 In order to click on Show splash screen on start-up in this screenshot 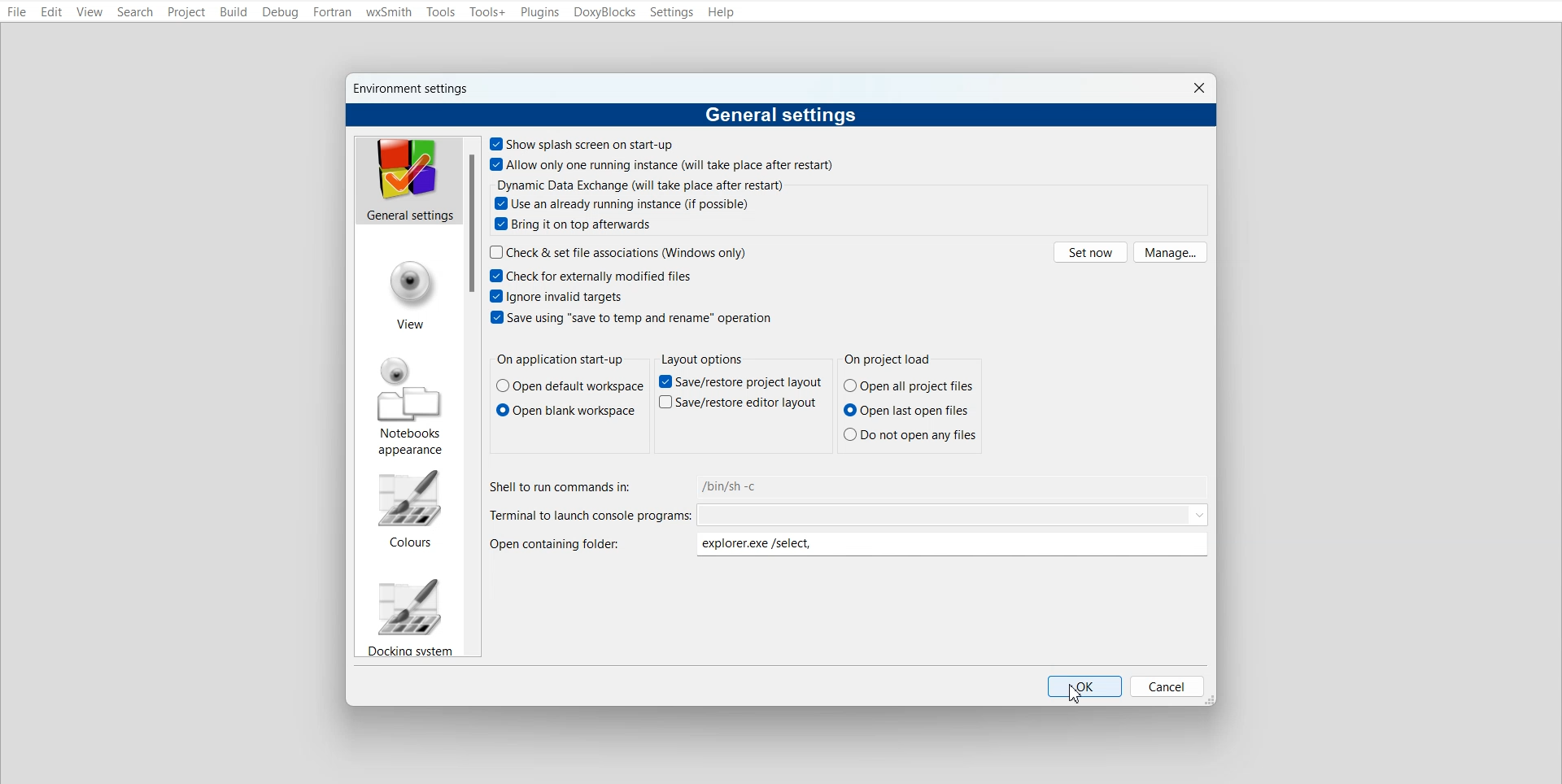, I will do `click(583, 143)`.